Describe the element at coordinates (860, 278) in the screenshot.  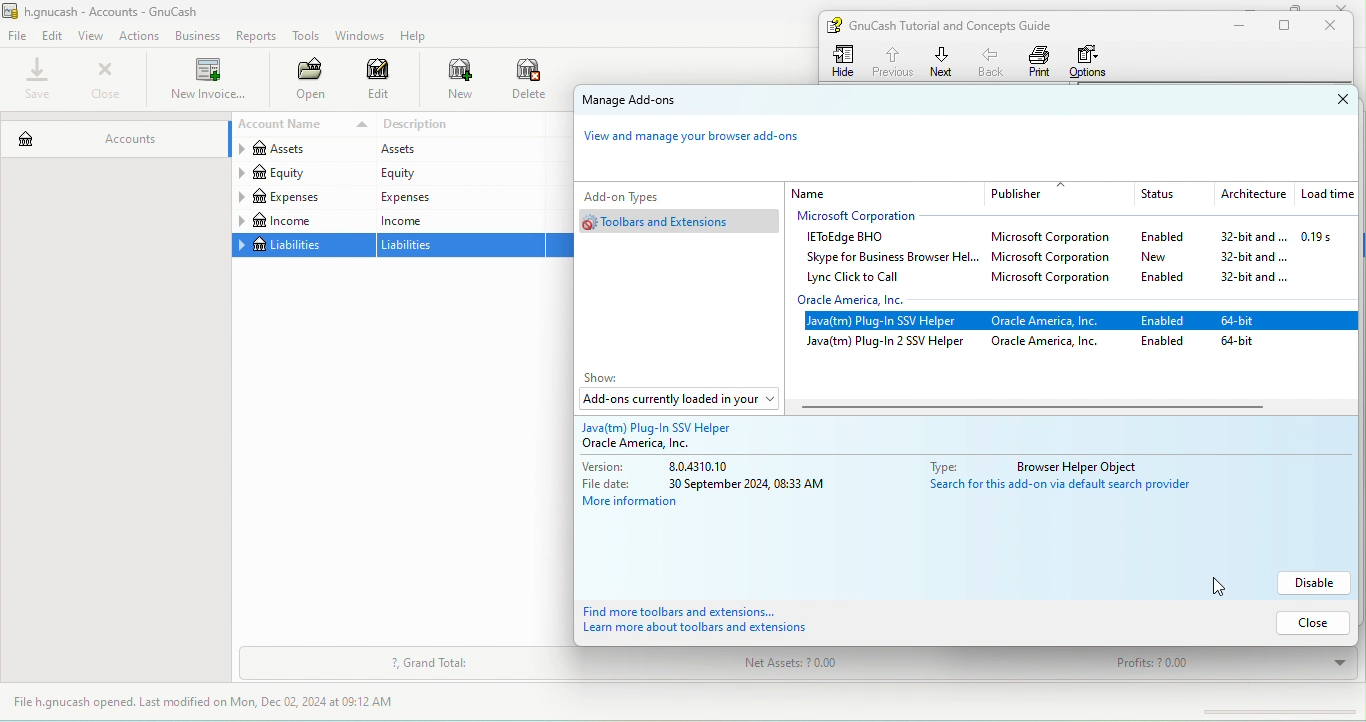
I see `lync click to call` at that location.